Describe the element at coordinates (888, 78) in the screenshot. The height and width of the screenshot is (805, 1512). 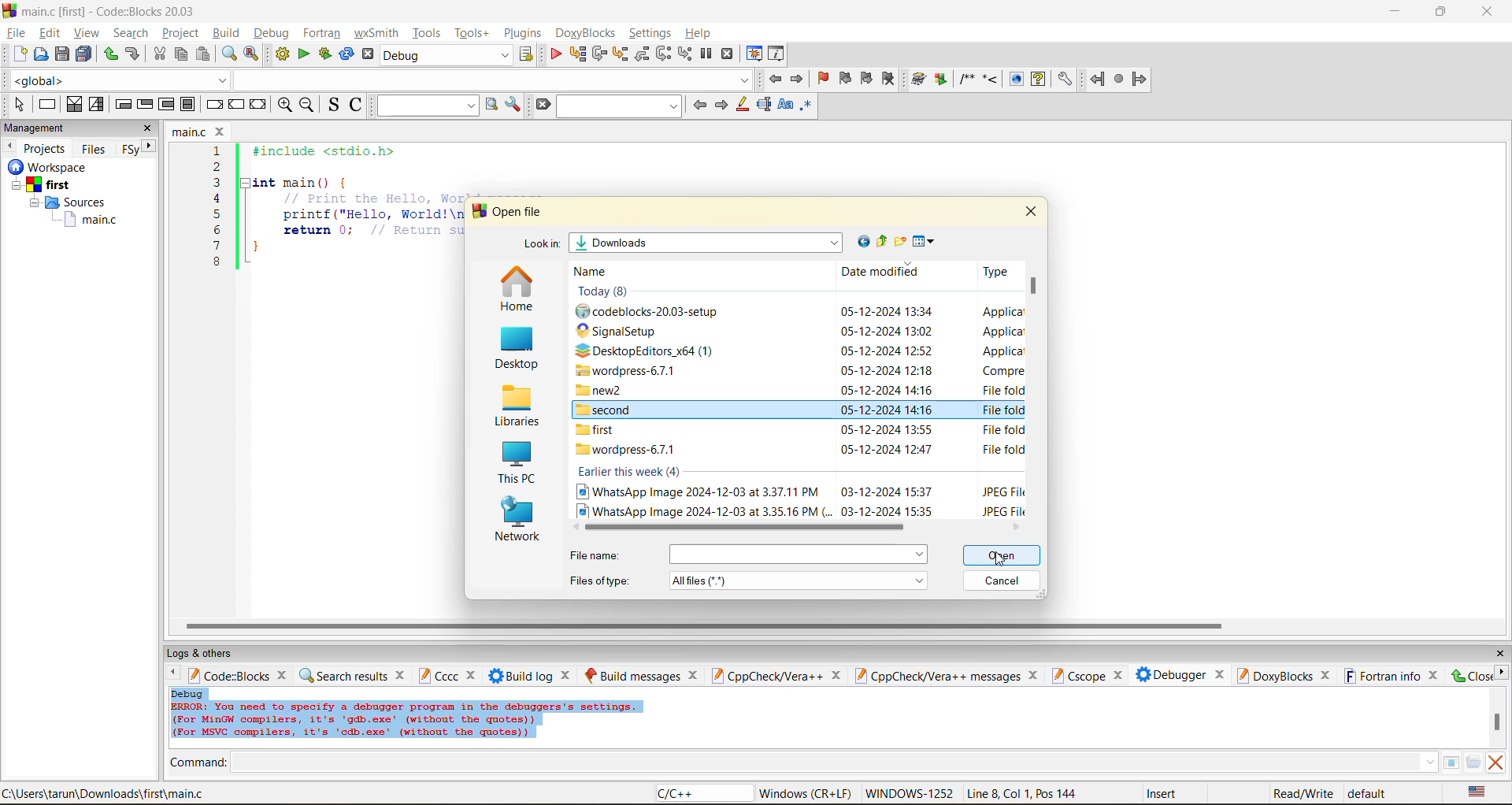
I see `clear bookmark` at that location.